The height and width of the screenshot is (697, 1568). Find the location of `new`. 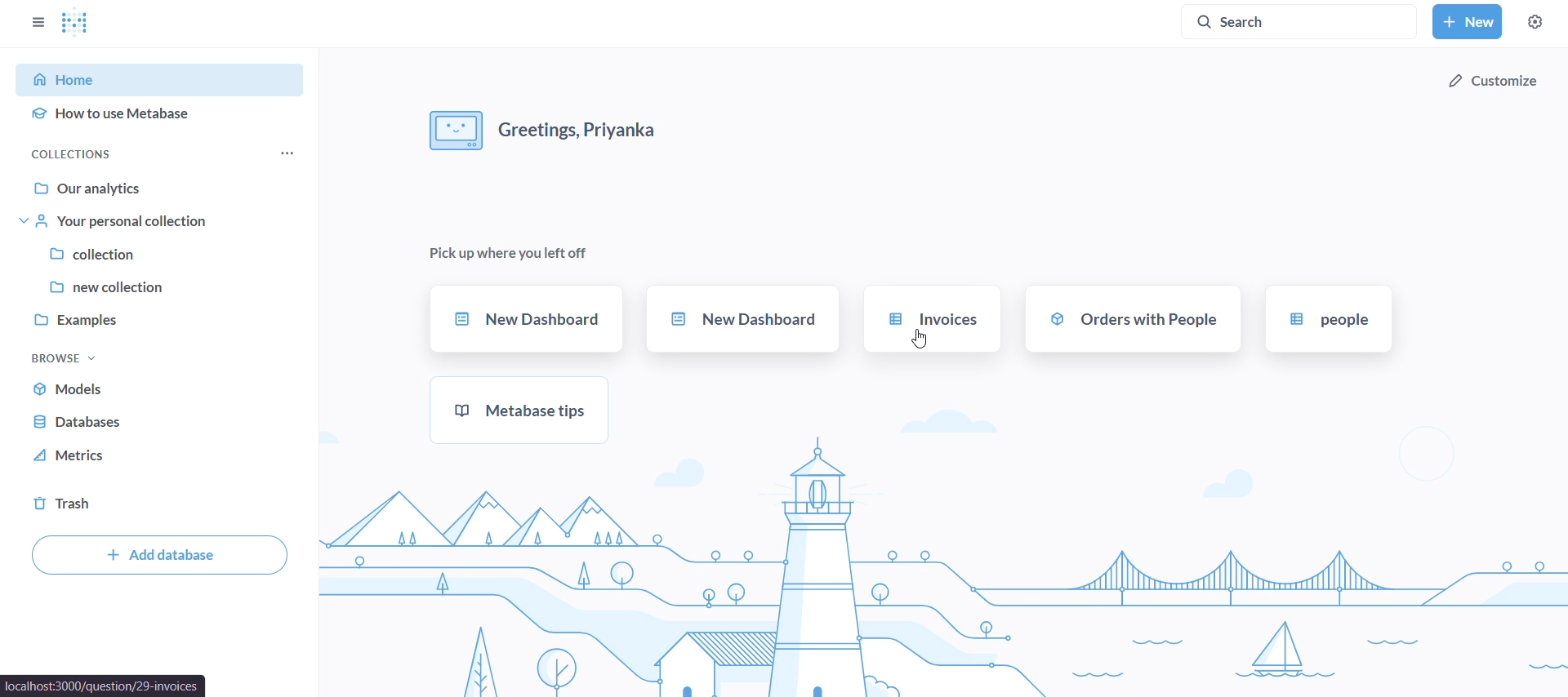

new is located at coordinates (1466, 20).